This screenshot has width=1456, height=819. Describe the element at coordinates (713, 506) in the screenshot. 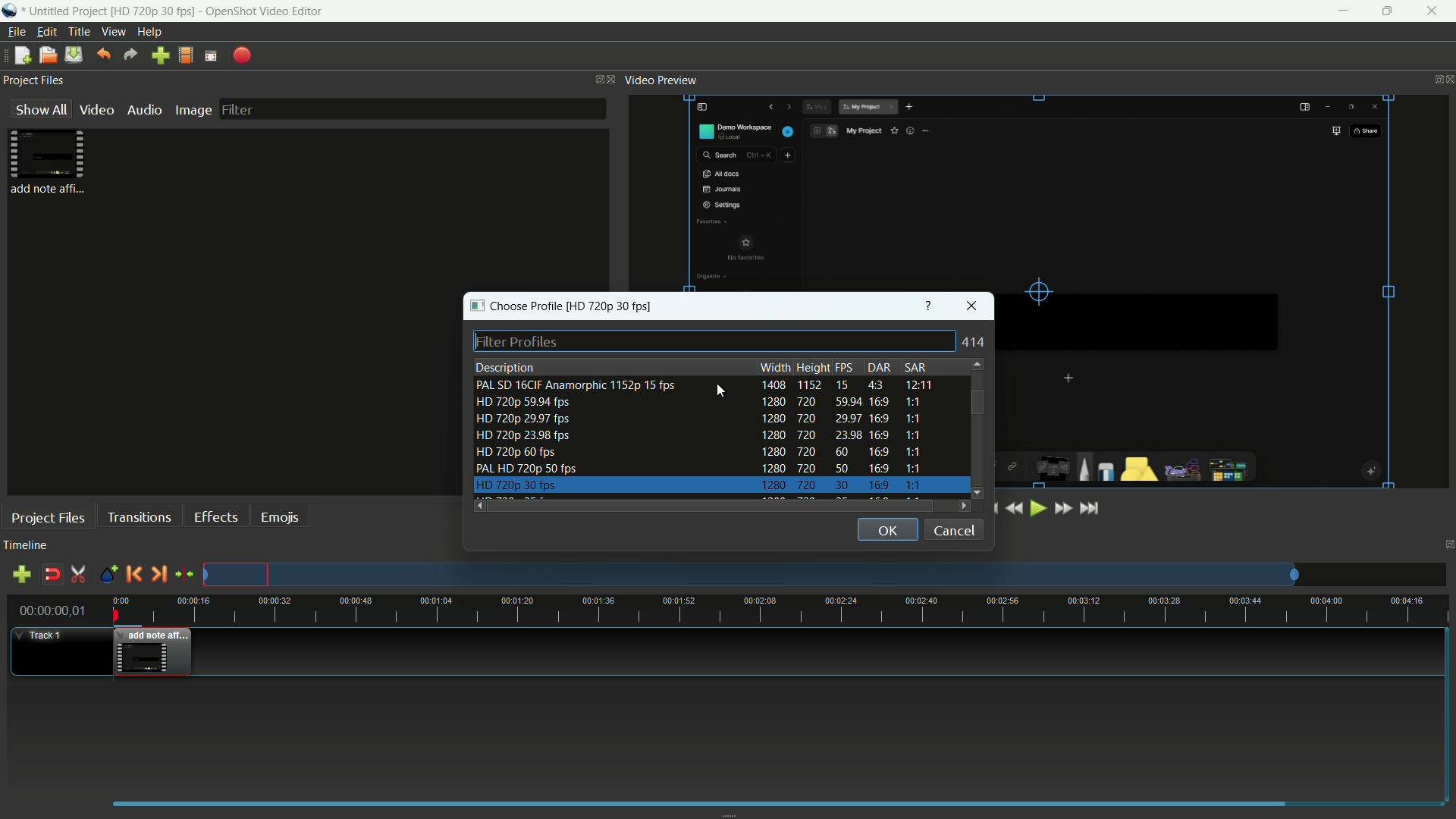

I see `scroll bar` at that location.